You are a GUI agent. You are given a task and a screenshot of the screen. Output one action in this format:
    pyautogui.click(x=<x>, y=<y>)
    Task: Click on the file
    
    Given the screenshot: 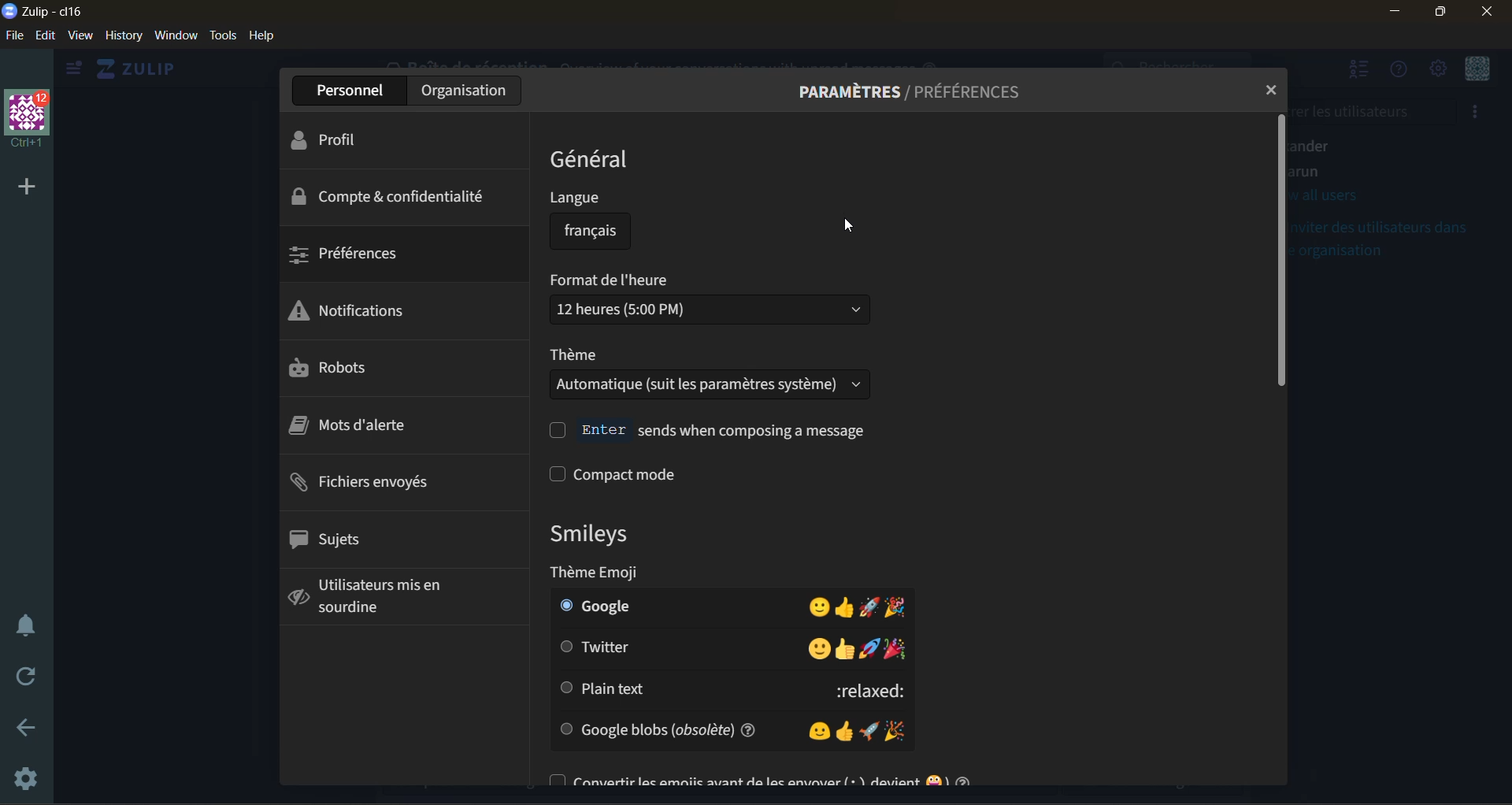 What is the action you would take?
    pyautogui.click(x=13, y=36)
    